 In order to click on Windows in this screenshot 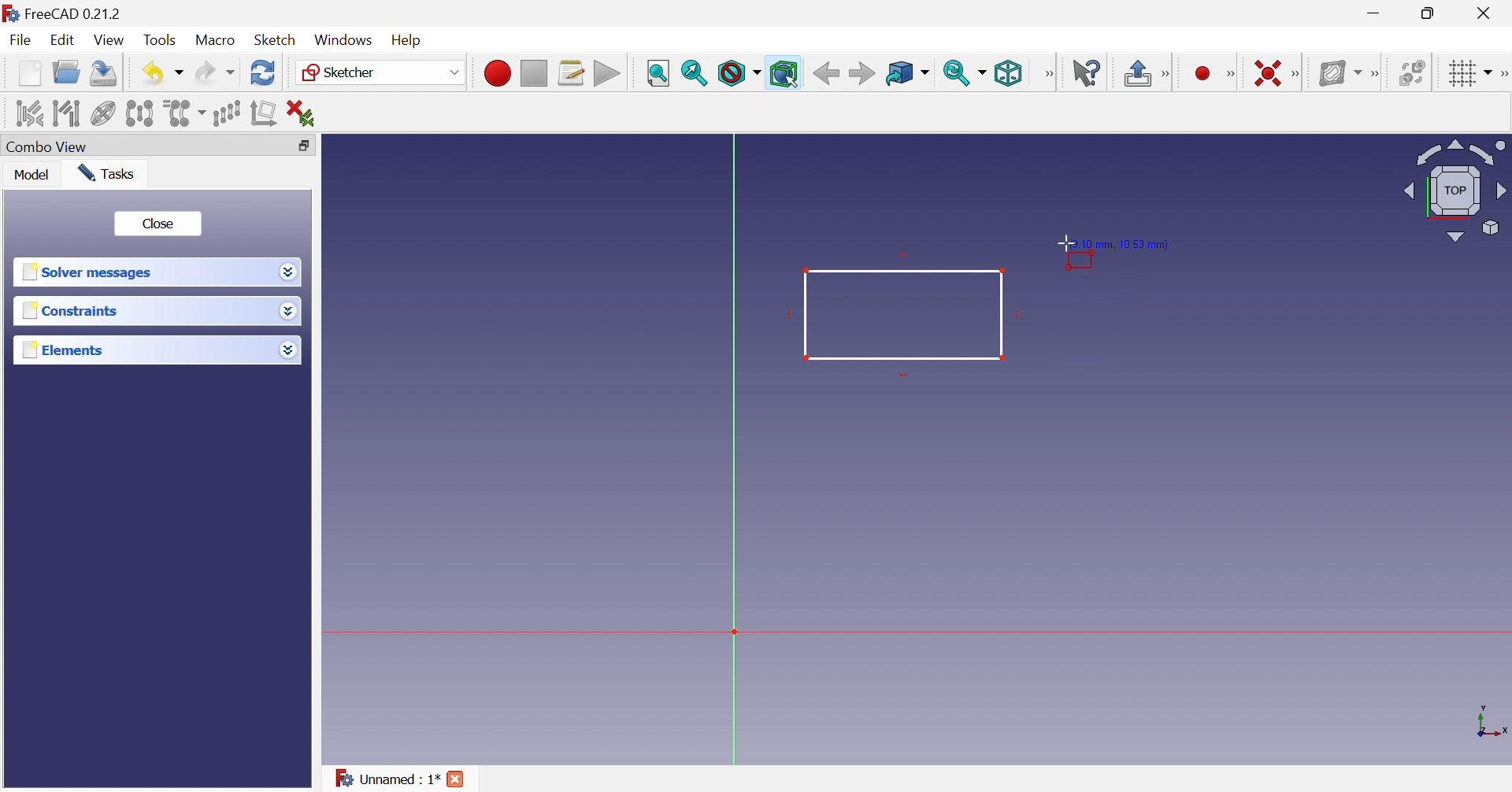, I will do `click(343, 41)`.